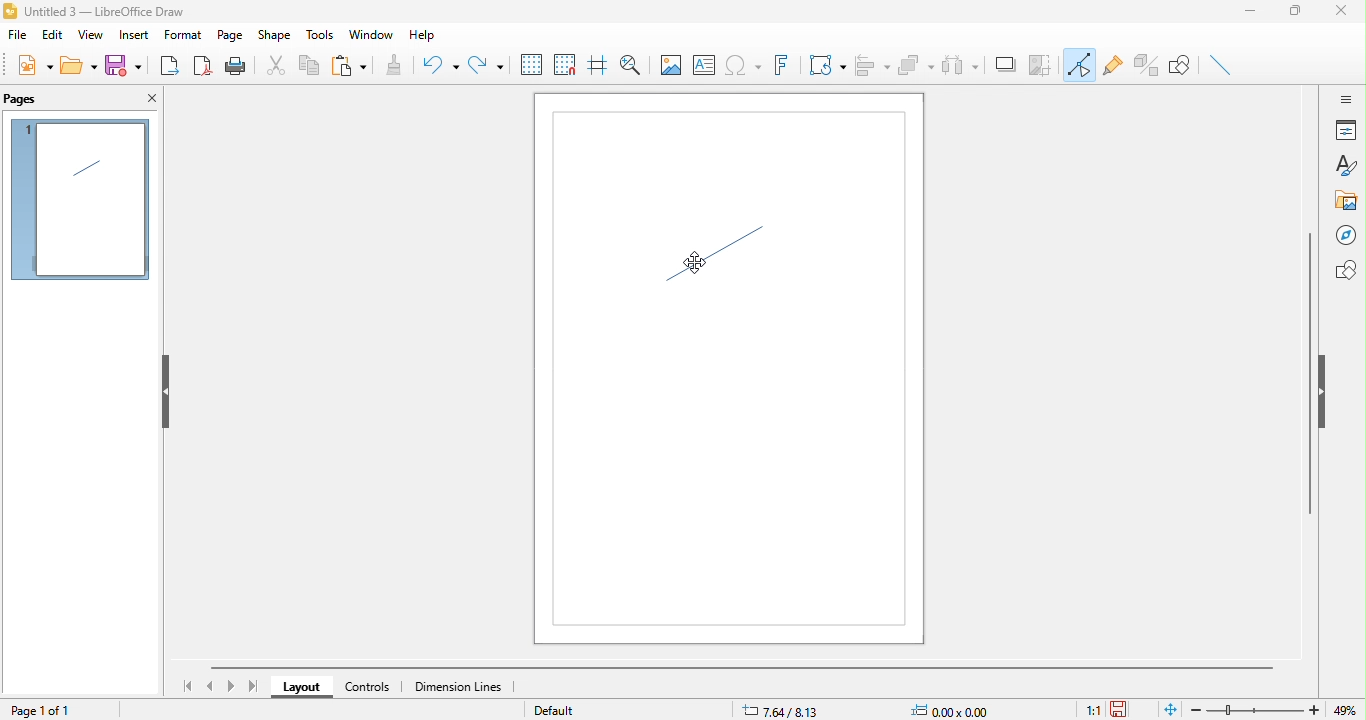 Image resolution: width=1366 pixels, height=720 pixels. Describe the element at coordinates (421, 37) in the screenshot. I see `help` at that location.